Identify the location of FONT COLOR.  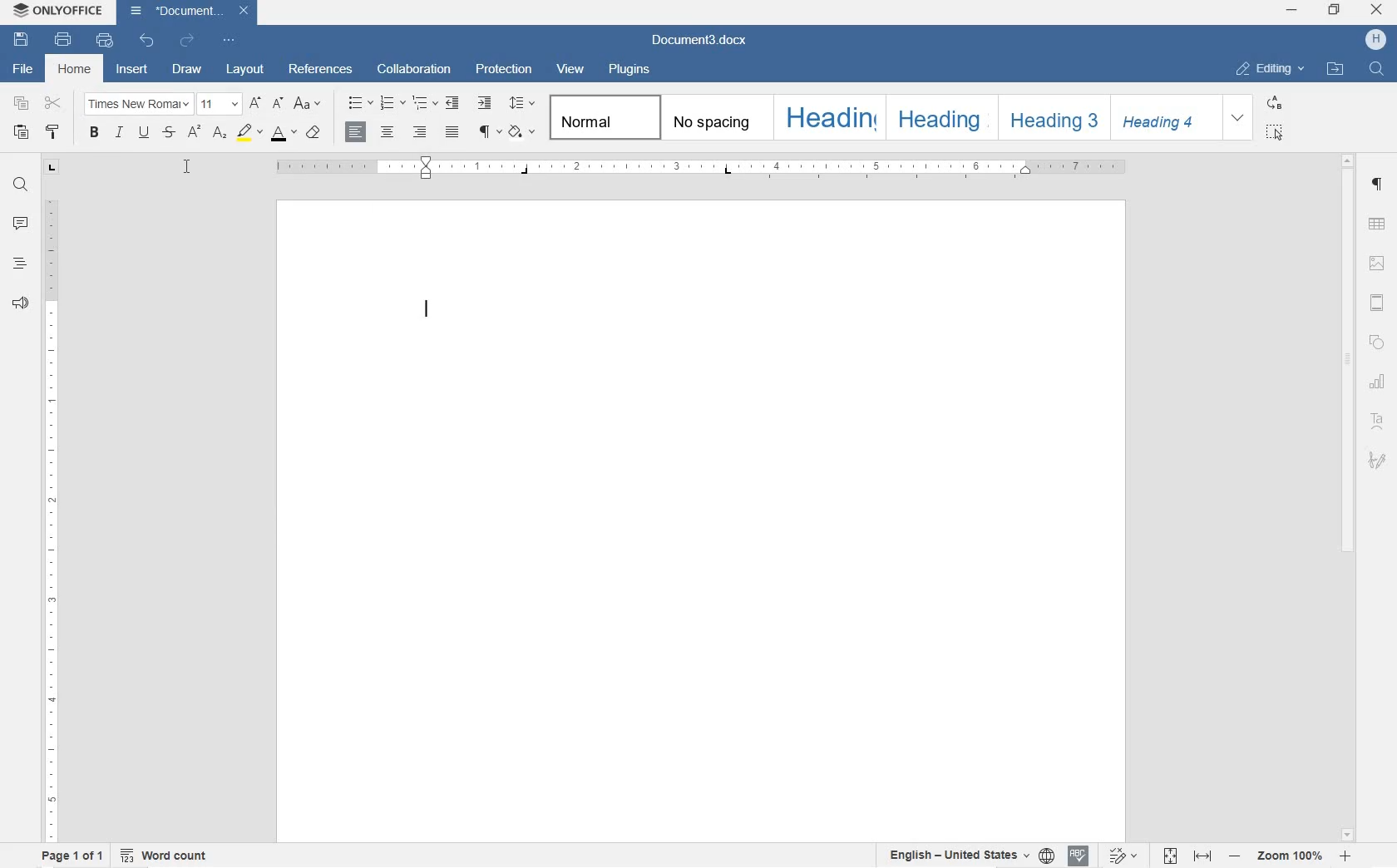
(285, 133).